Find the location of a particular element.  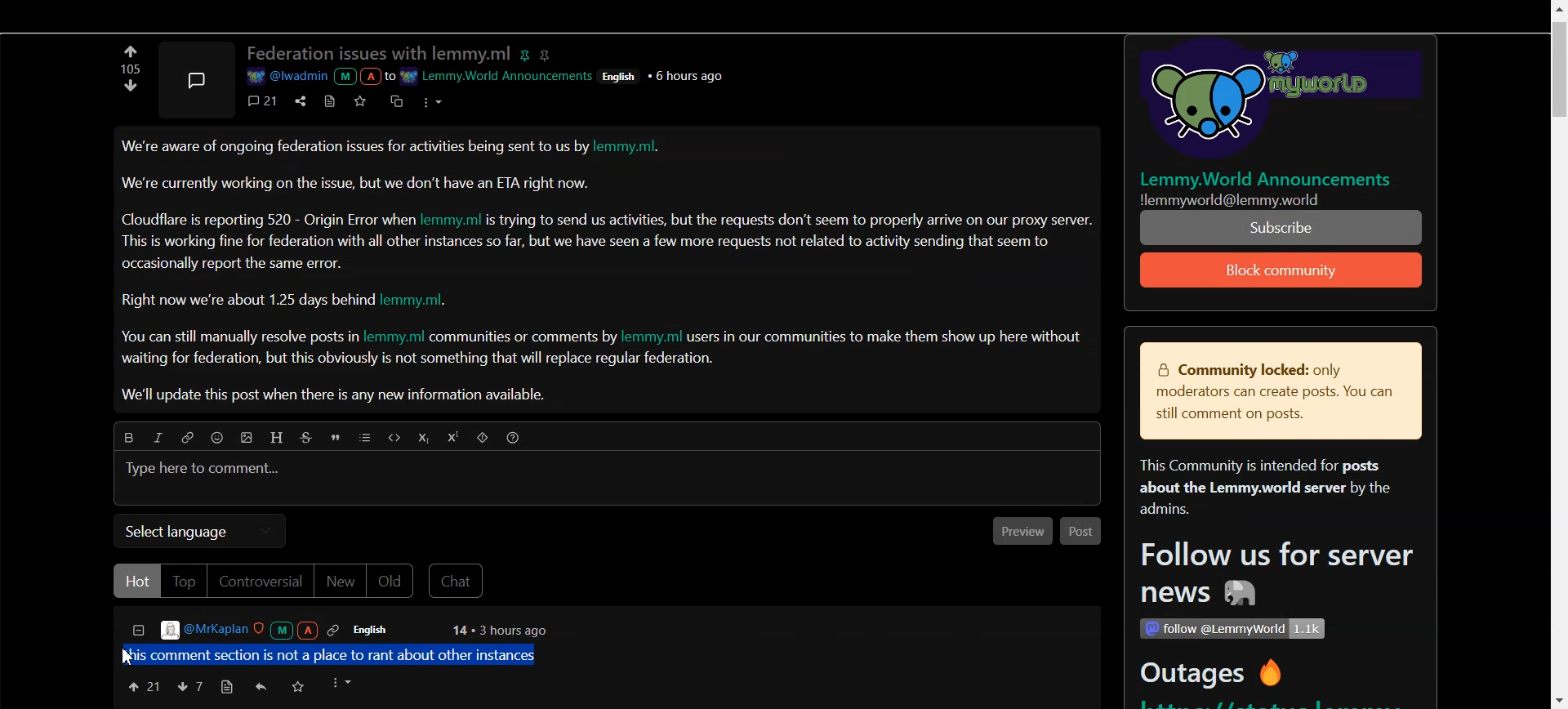

hyperlink is located at coordinates (548, 54).